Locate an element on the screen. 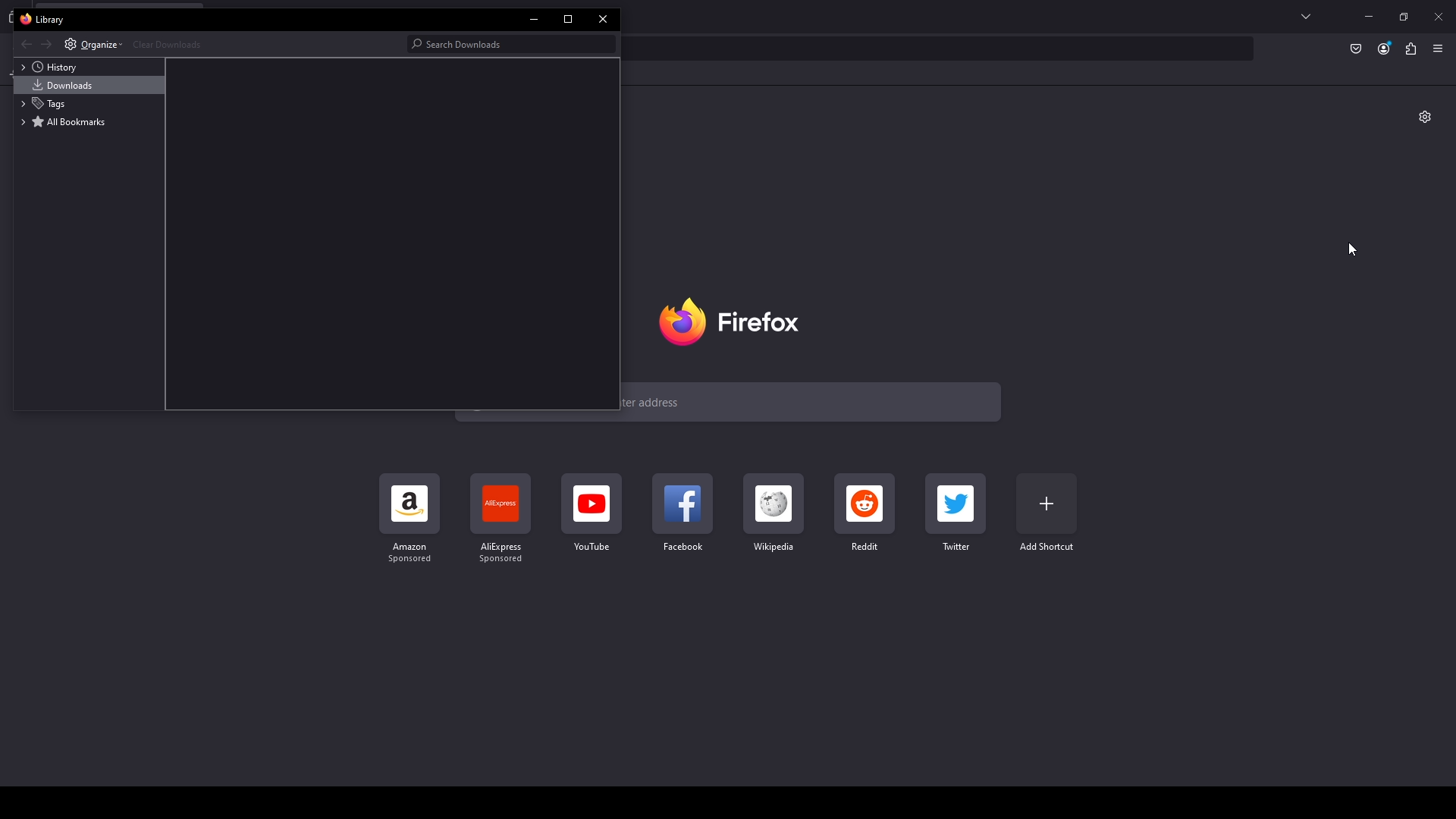  Search with Google or enter address is located at coordinates (814, 401).